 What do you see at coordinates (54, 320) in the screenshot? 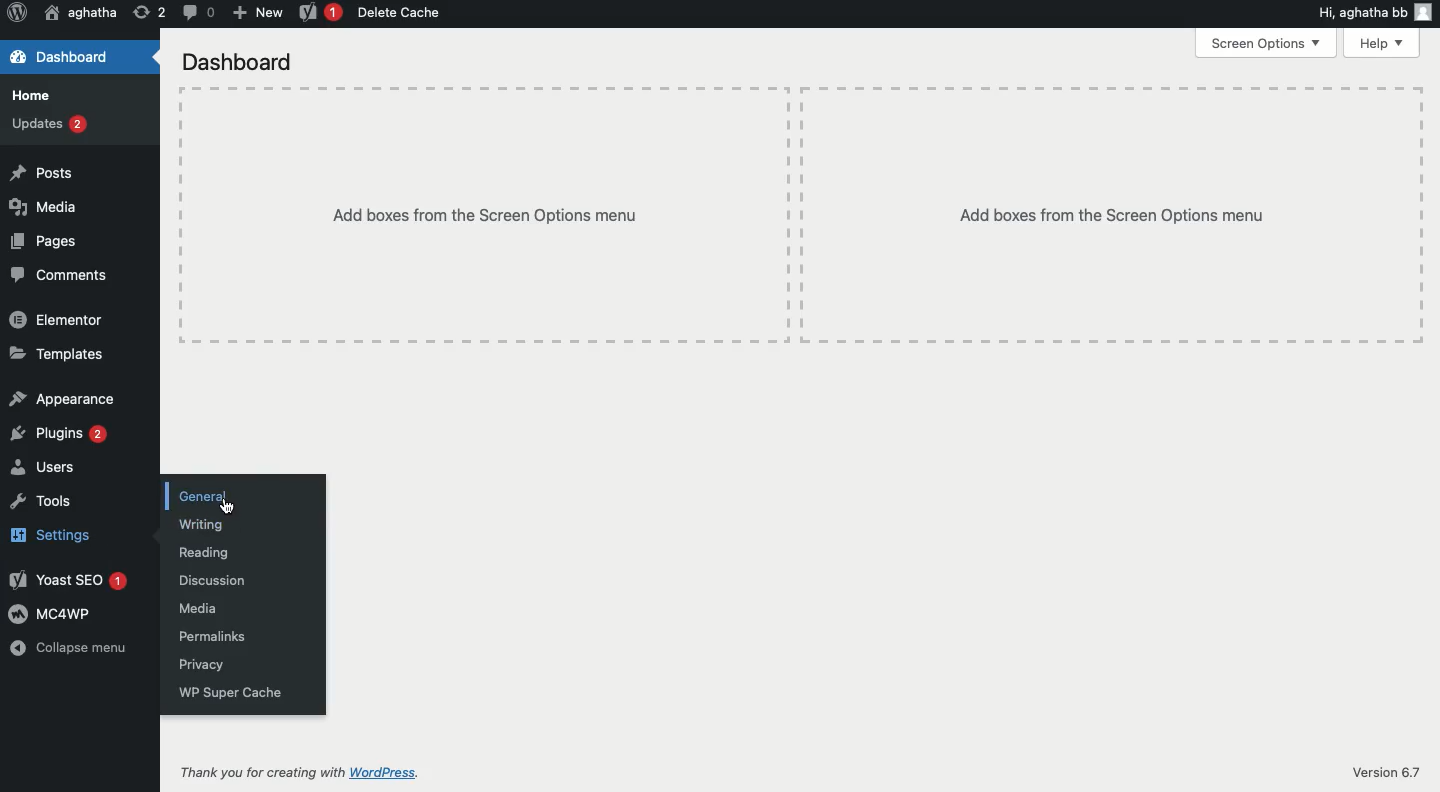
I see `Elementor` at bounding box center [54, 320].